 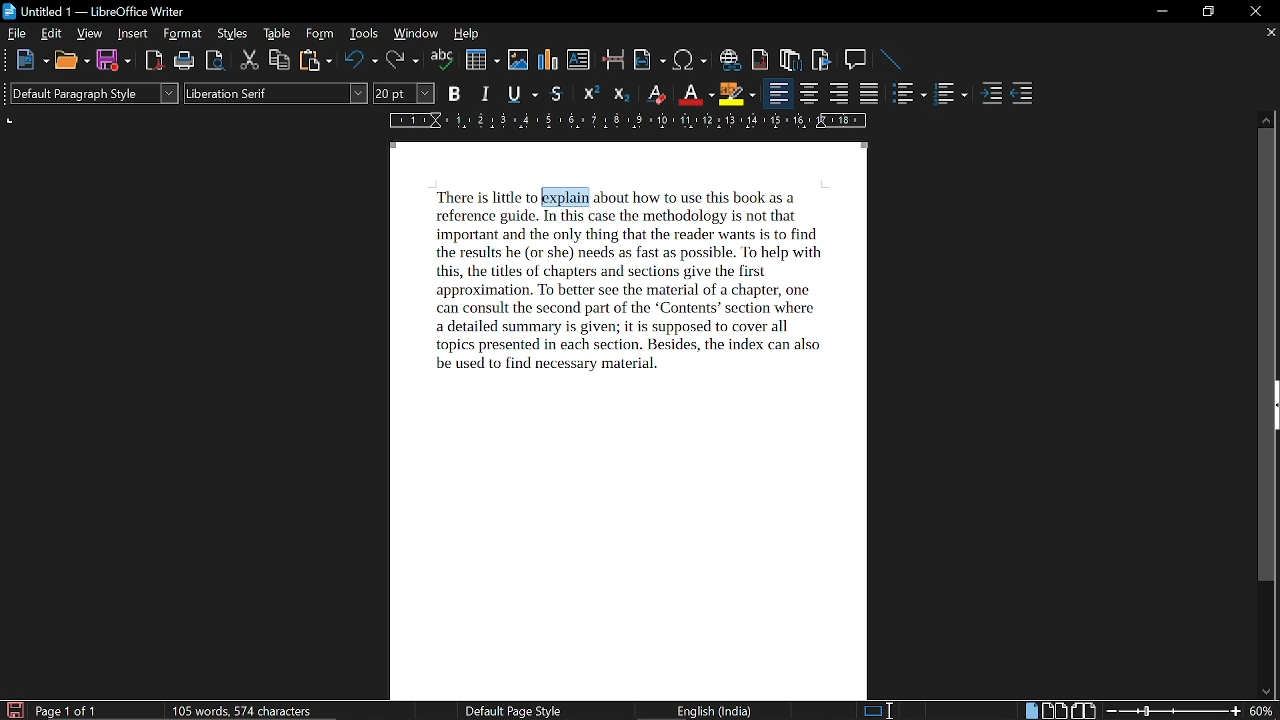 I want to click on move up, so click(x=1268, y=119).